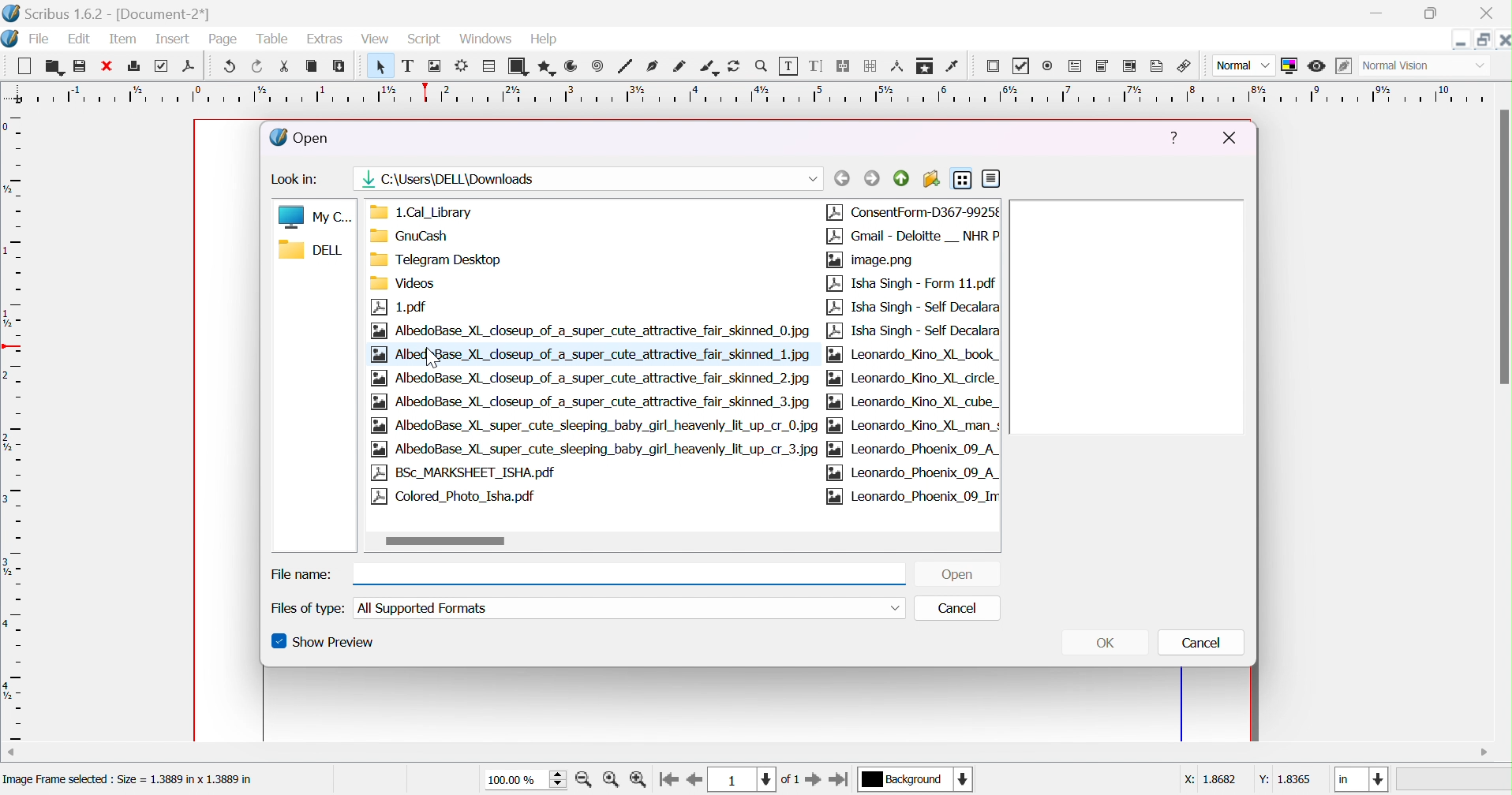 The width and height of the screenshot is (1512, 795). I want to click on in, so click(1362, 780).